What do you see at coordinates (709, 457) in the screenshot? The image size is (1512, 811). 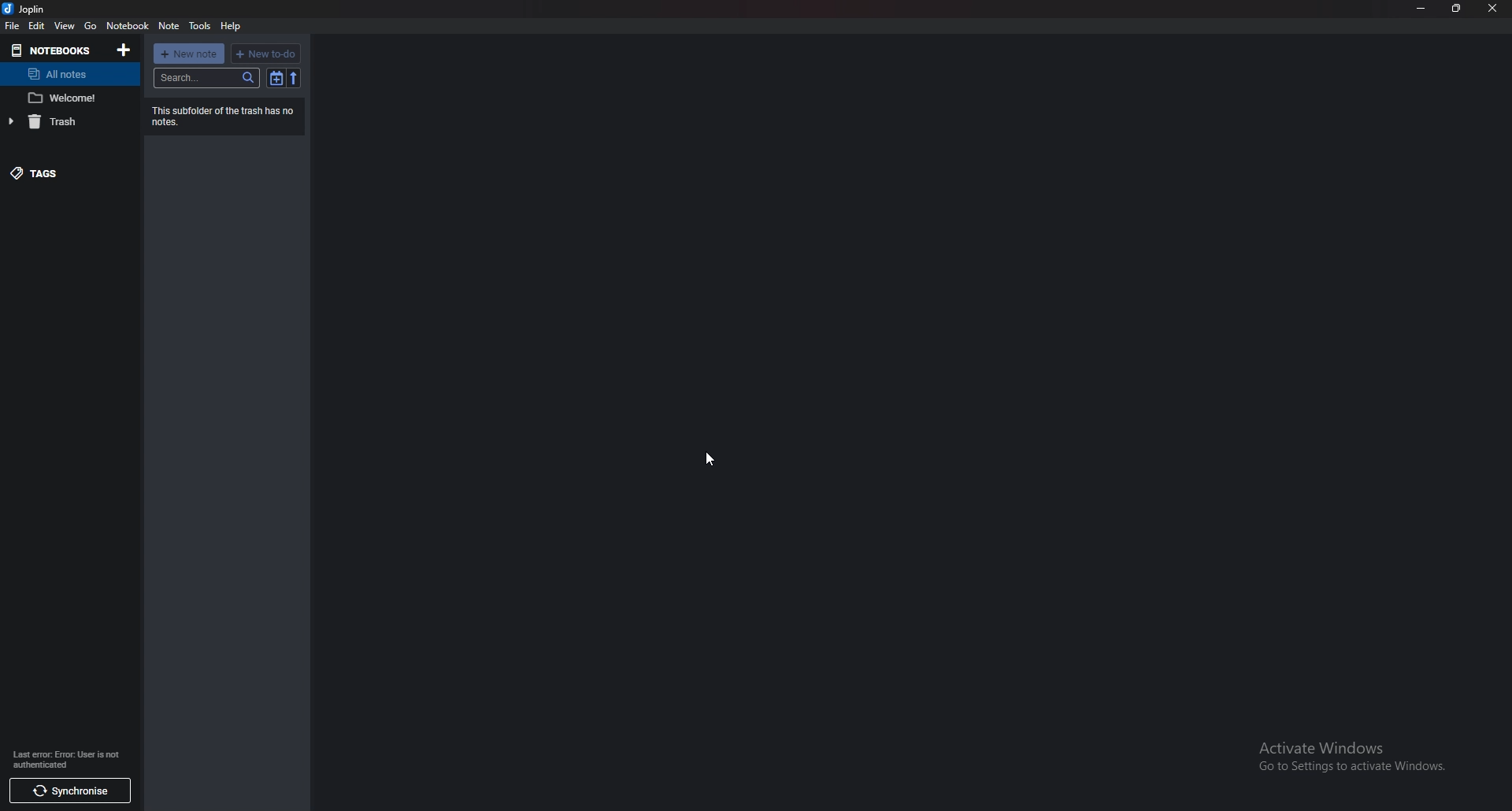 I see `Cursor` at bounding box center [709, 457].